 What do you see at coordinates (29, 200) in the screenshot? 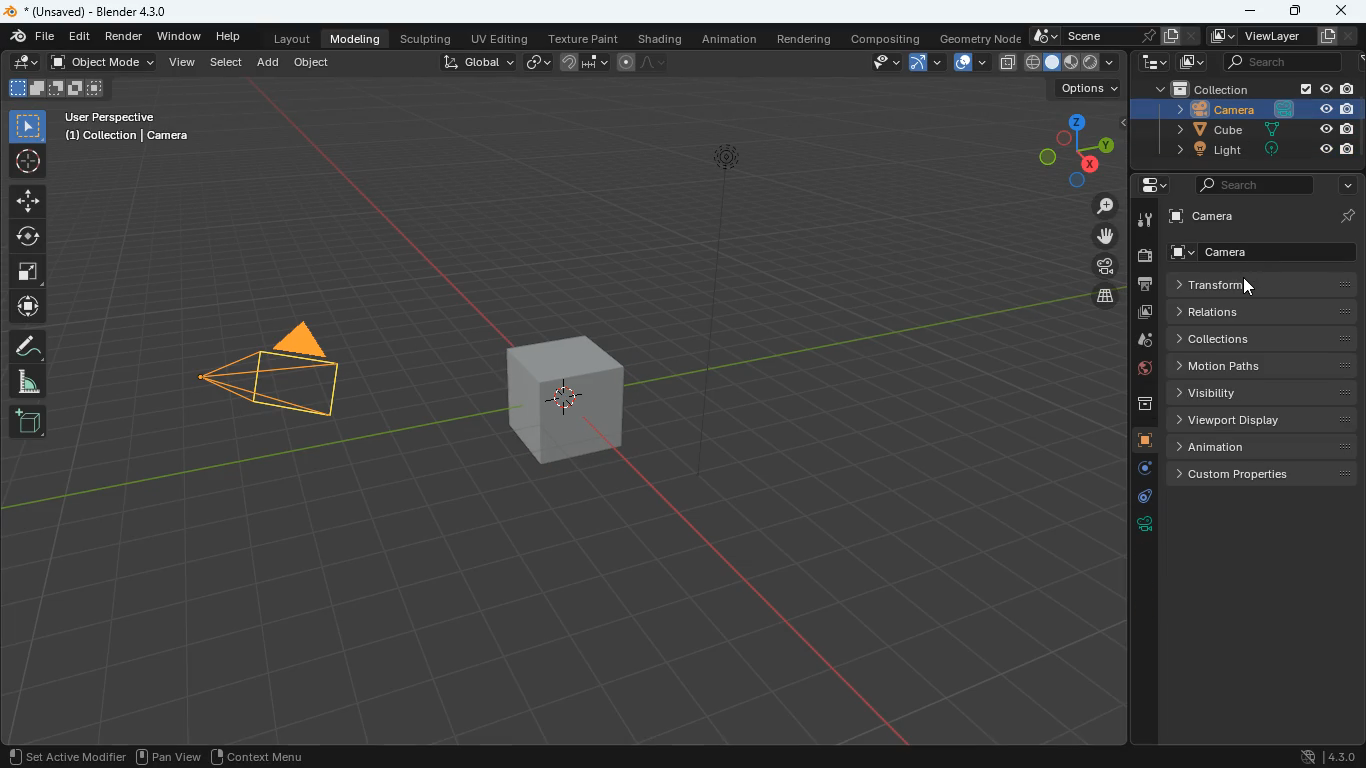
I see `move` at bounding box center [29, 200].